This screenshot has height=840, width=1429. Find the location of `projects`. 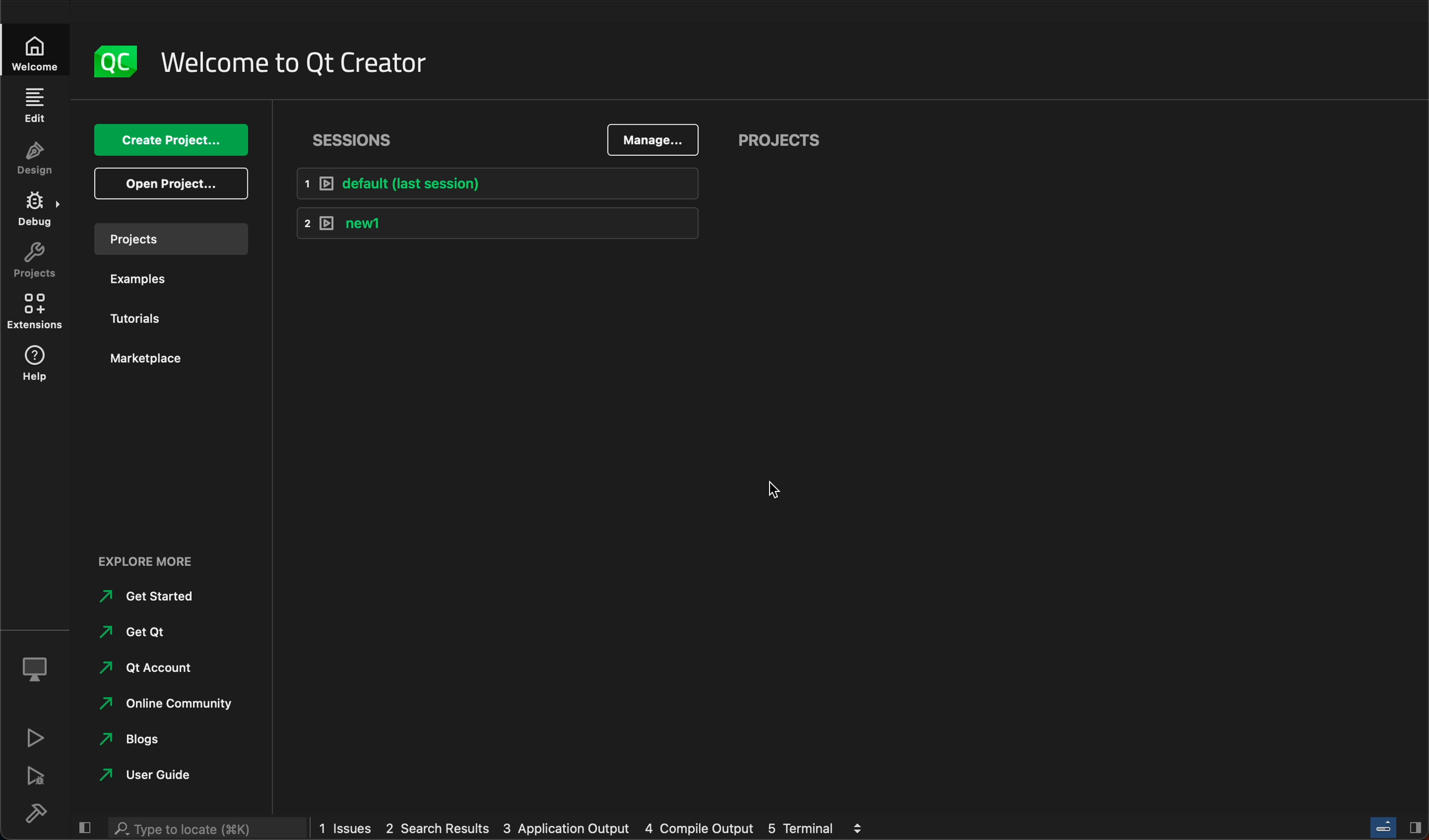

projects is located at coordinates (787, 134).